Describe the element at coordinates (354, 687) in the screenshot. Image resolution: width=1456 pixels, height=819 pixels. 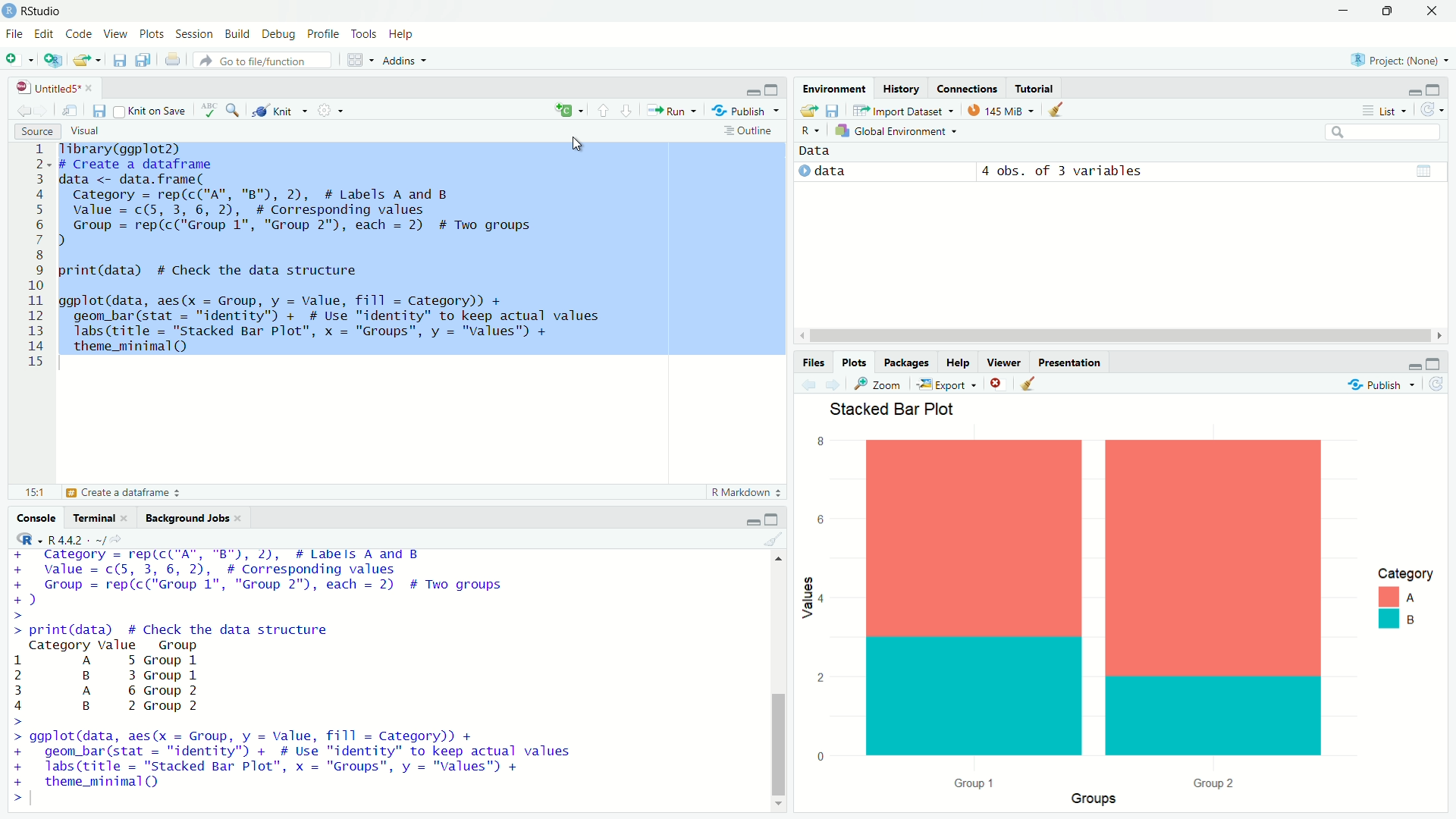
I see `+ value = c(5, 3, 6, 2), # Corresponding values
+ Group = rep(c("Group 1", "Group 2"), each = 2) # Two groups
+)
>
> print(data) # Check the data structure
Category Value Group
1 A 5 Group 1
2 B 3 Group 1
3 A 6 Group 2
4 B 2 Group 2
>
> ggplot(data, aes(x = Group, y = Value, fill = Category)) +
+ geom_bar(stat = "identity") + # Use "identity" to keep actual values
+ labs(title = "Stacked Bar Plot”, x = "Groups", y = "Values" +
+  theme_minimal(Q
>` at that location.